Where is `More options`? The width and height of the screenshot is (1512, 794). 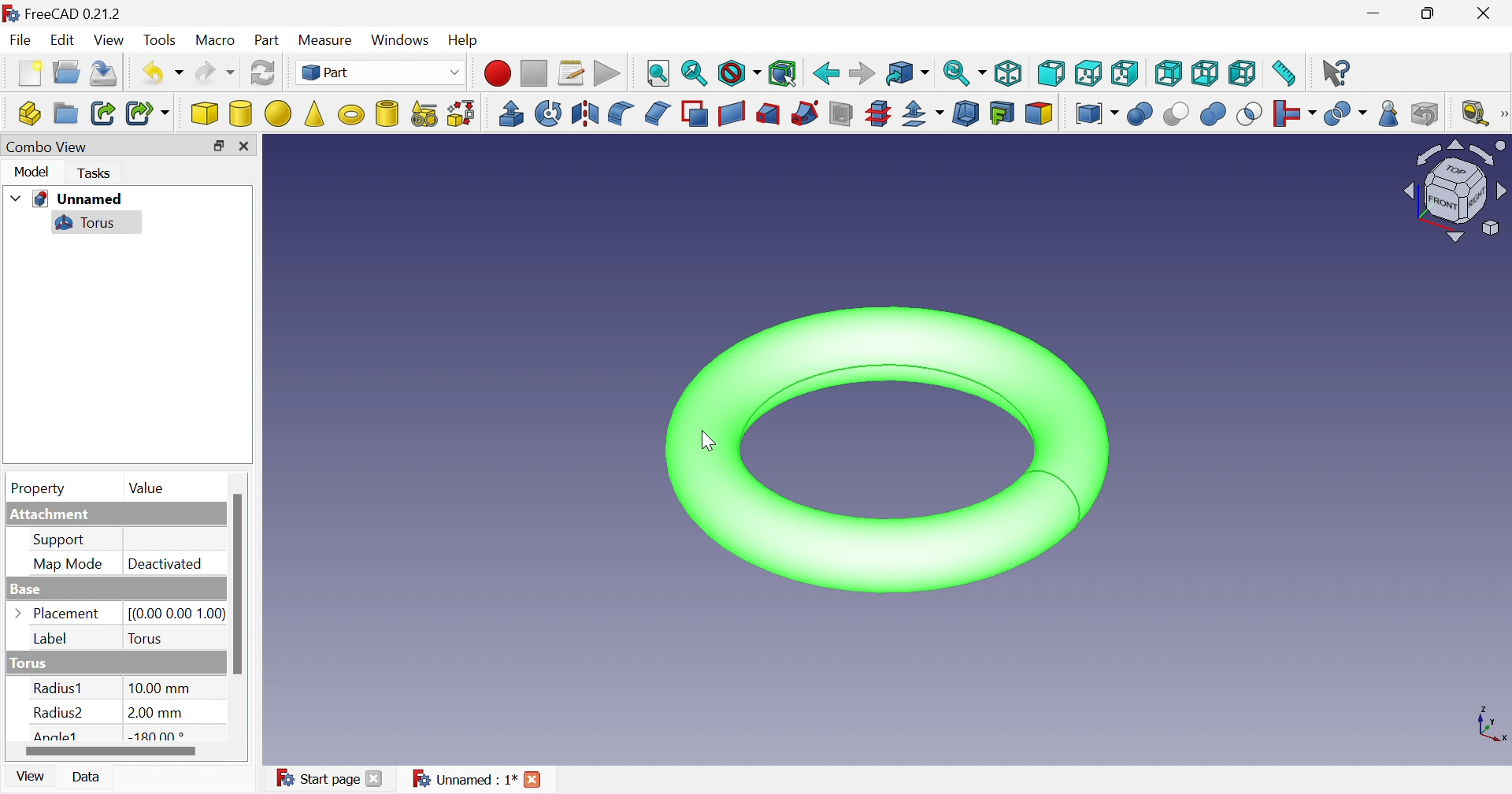 More options is located at coordinates (21, 614).